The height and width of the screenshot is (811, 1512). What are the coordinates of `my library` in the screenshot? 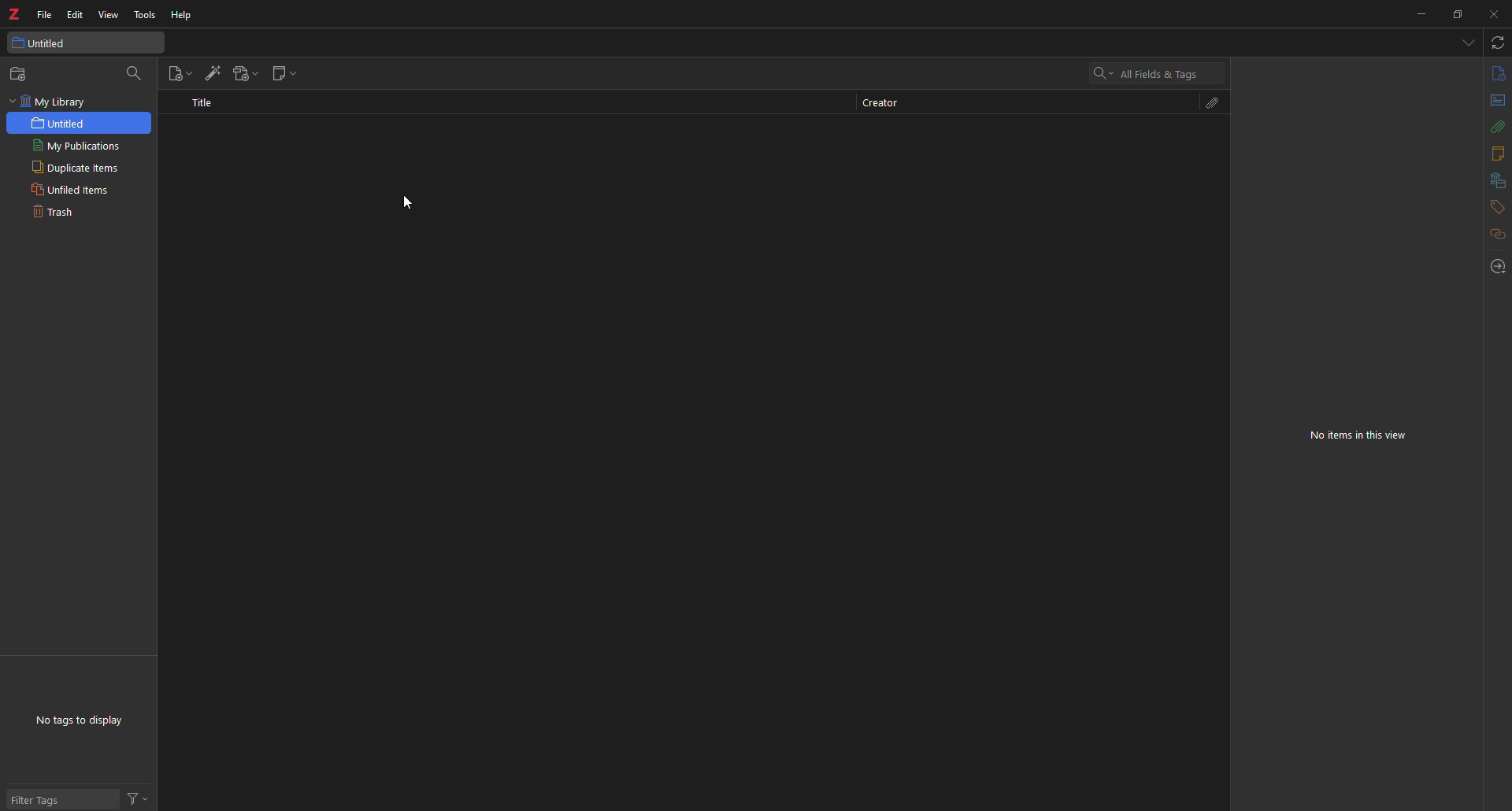 It's located at (81, 101).